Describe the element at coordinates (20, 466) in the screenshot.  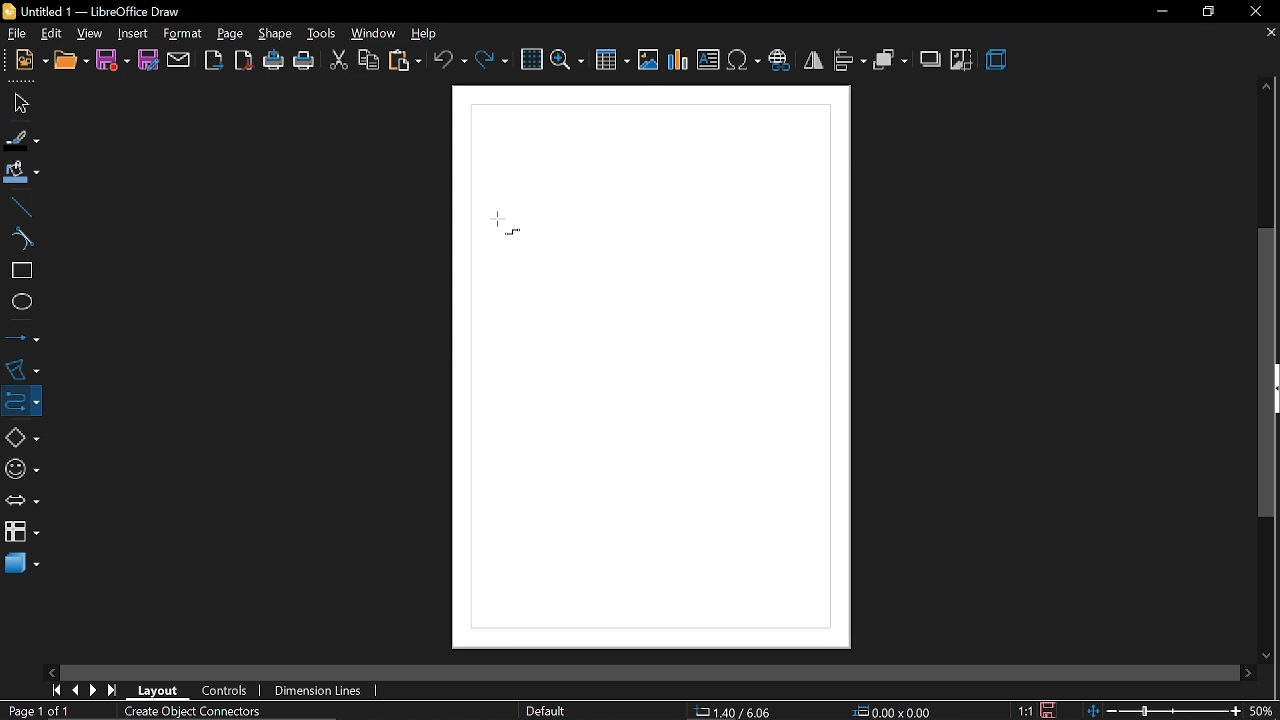
I see `symbol shapes` at that location.